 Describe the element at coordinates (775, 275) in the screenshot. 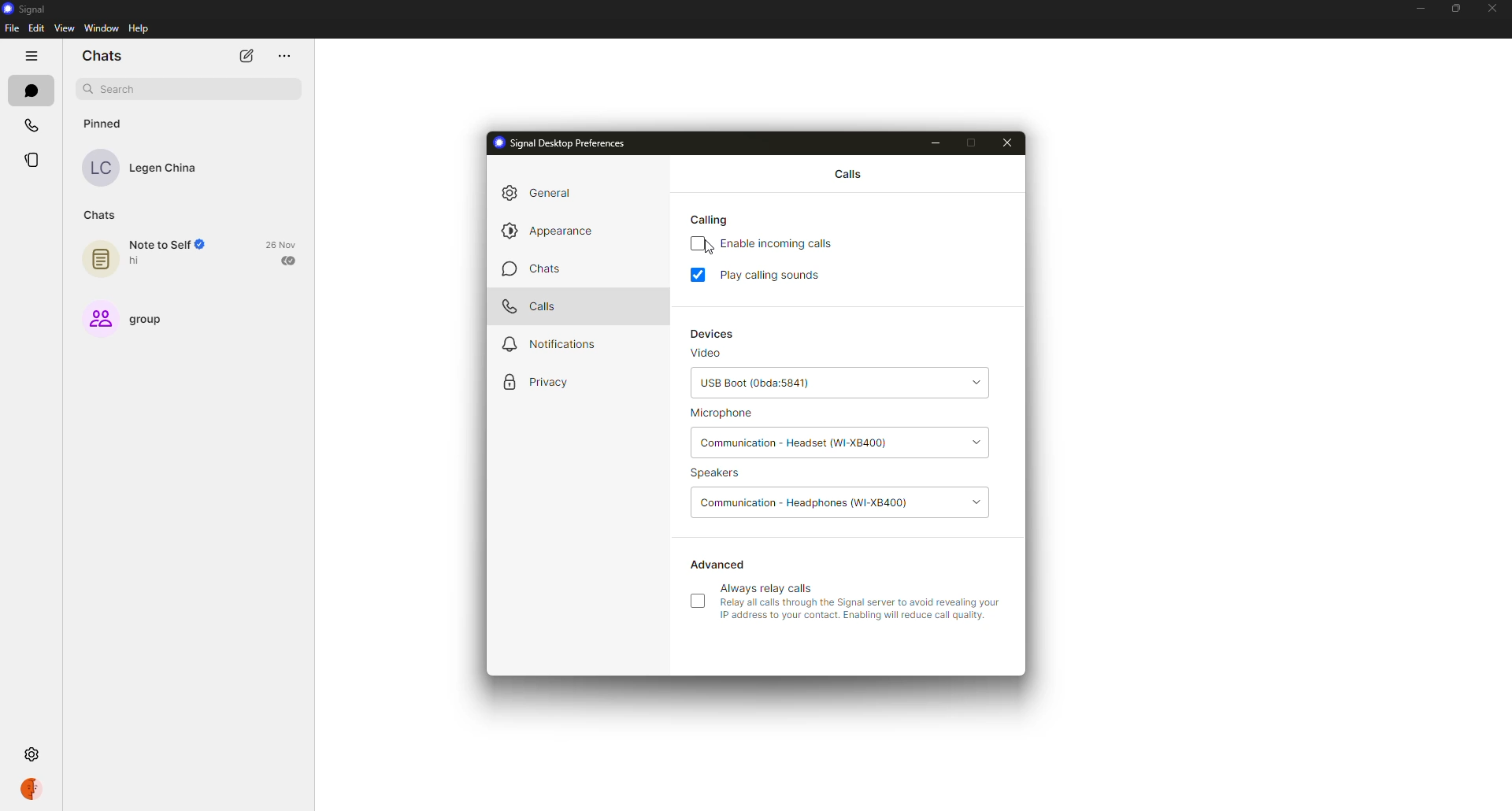

I see `play calling sounds` at that location.